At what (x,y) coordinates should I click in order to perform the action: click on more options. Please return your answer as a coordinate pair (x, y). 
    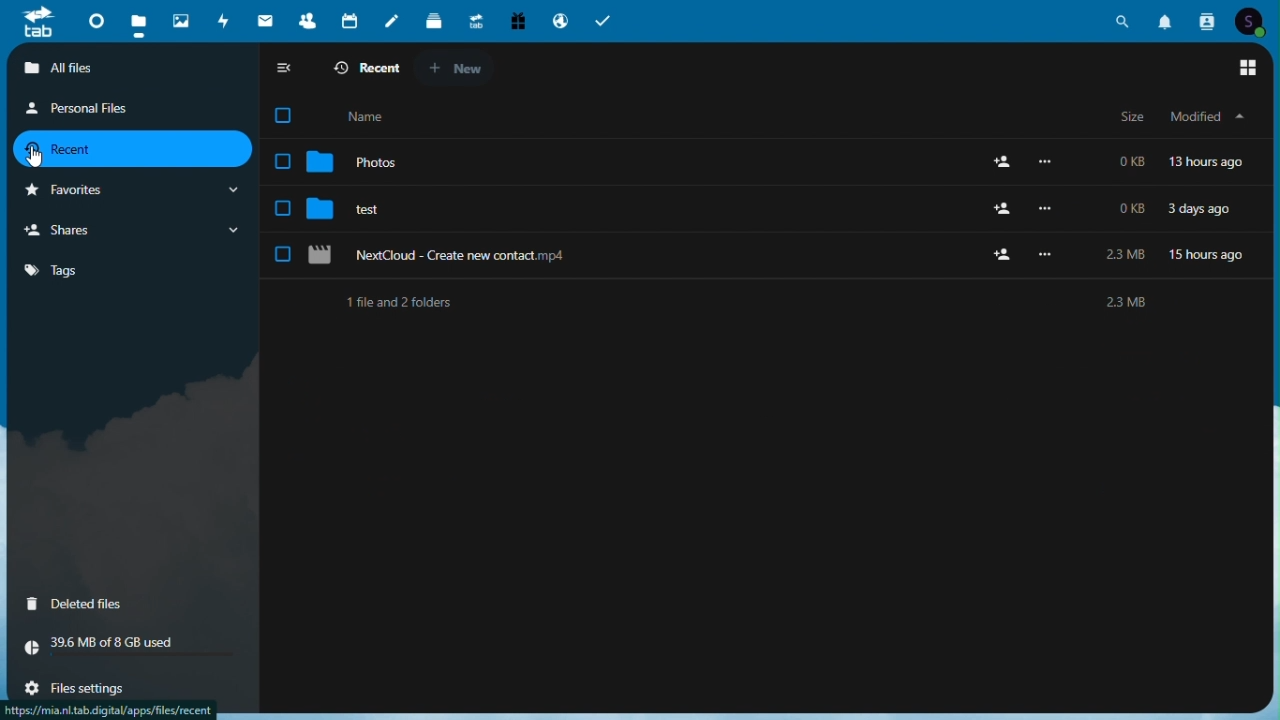
    Looking at the image, I should click on (1048, 163).